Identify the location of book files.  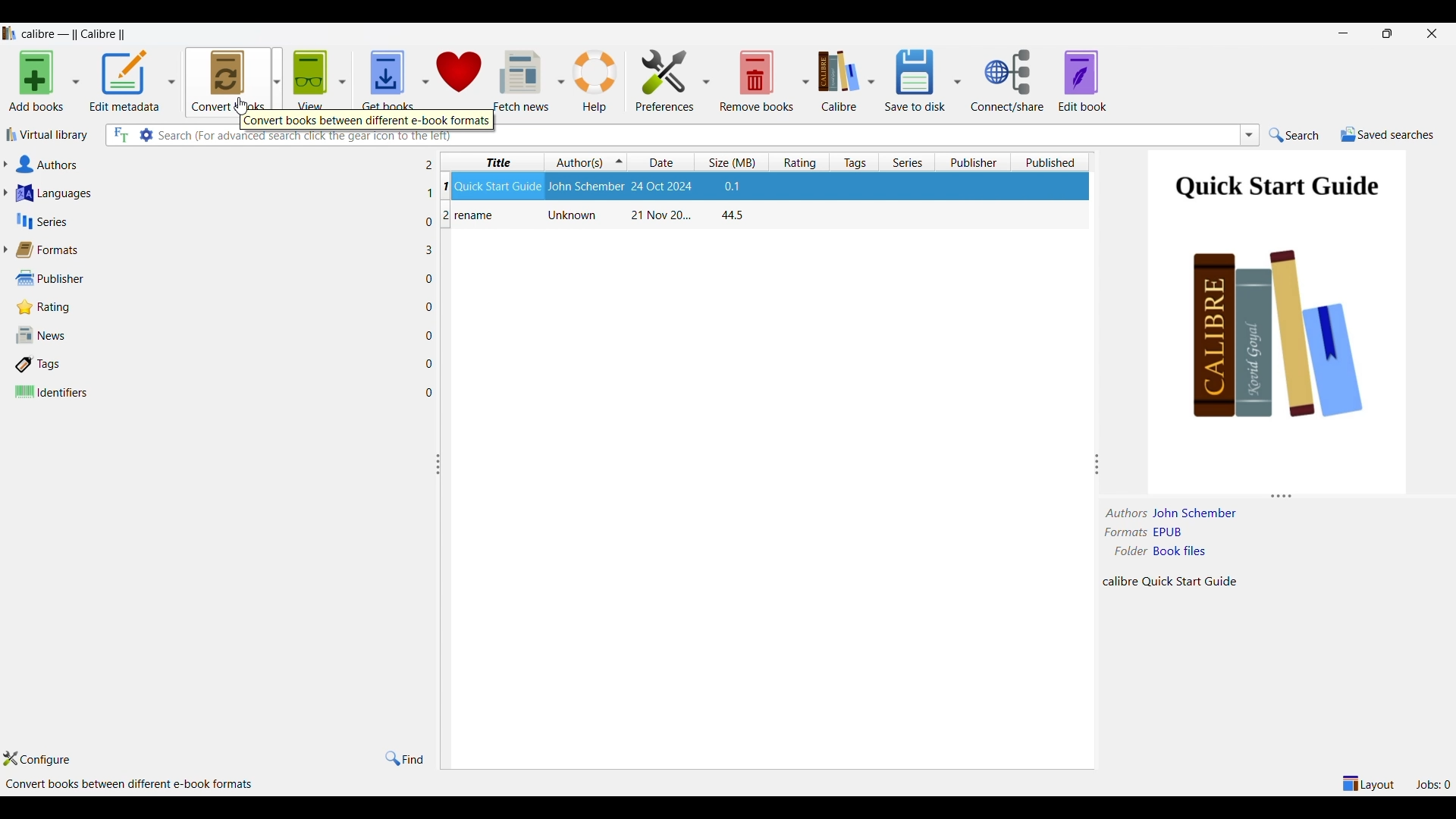
(1179, 551).